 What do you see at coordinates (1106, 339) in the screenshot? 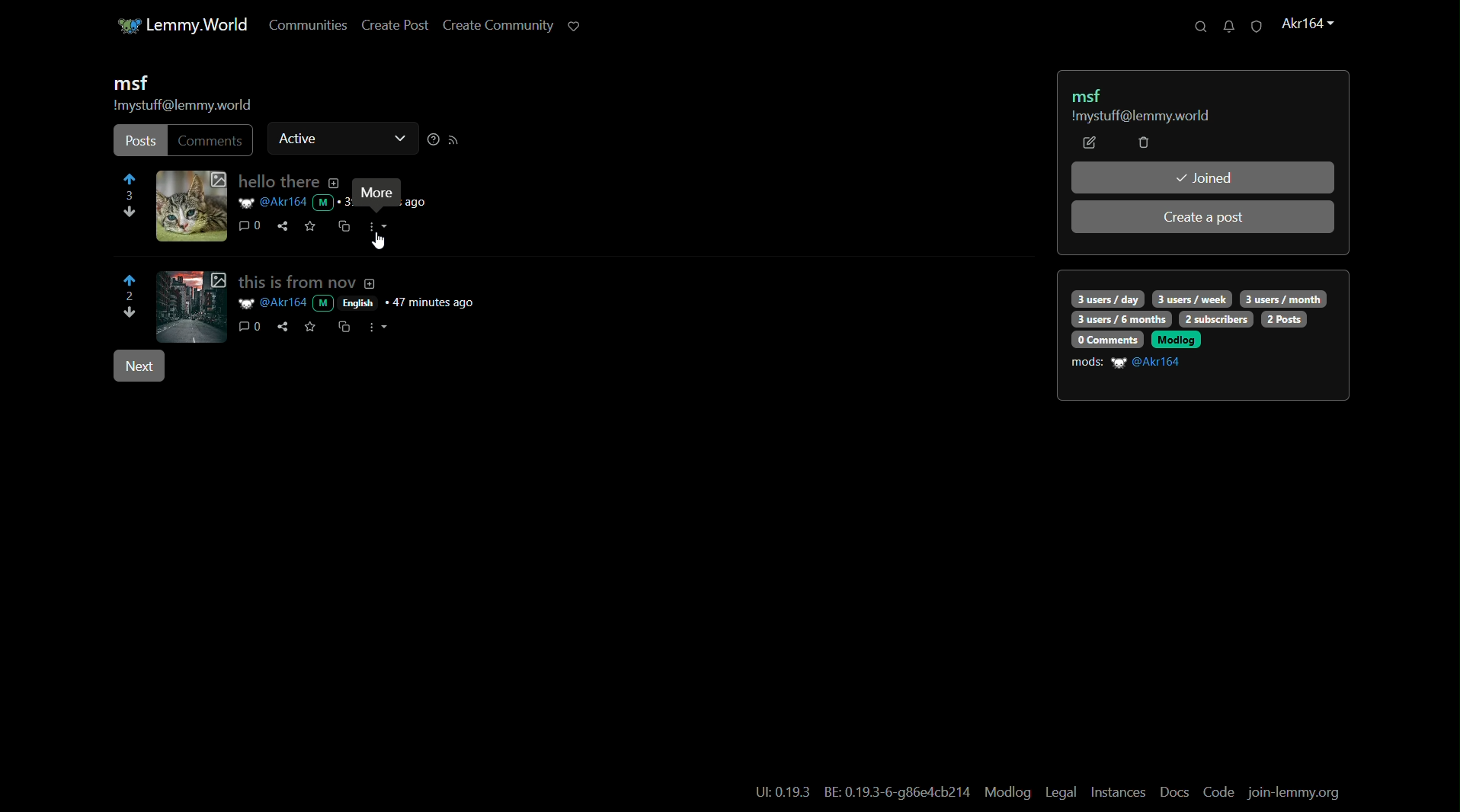
I see `0 comments` at bounding box center [1106, 339].